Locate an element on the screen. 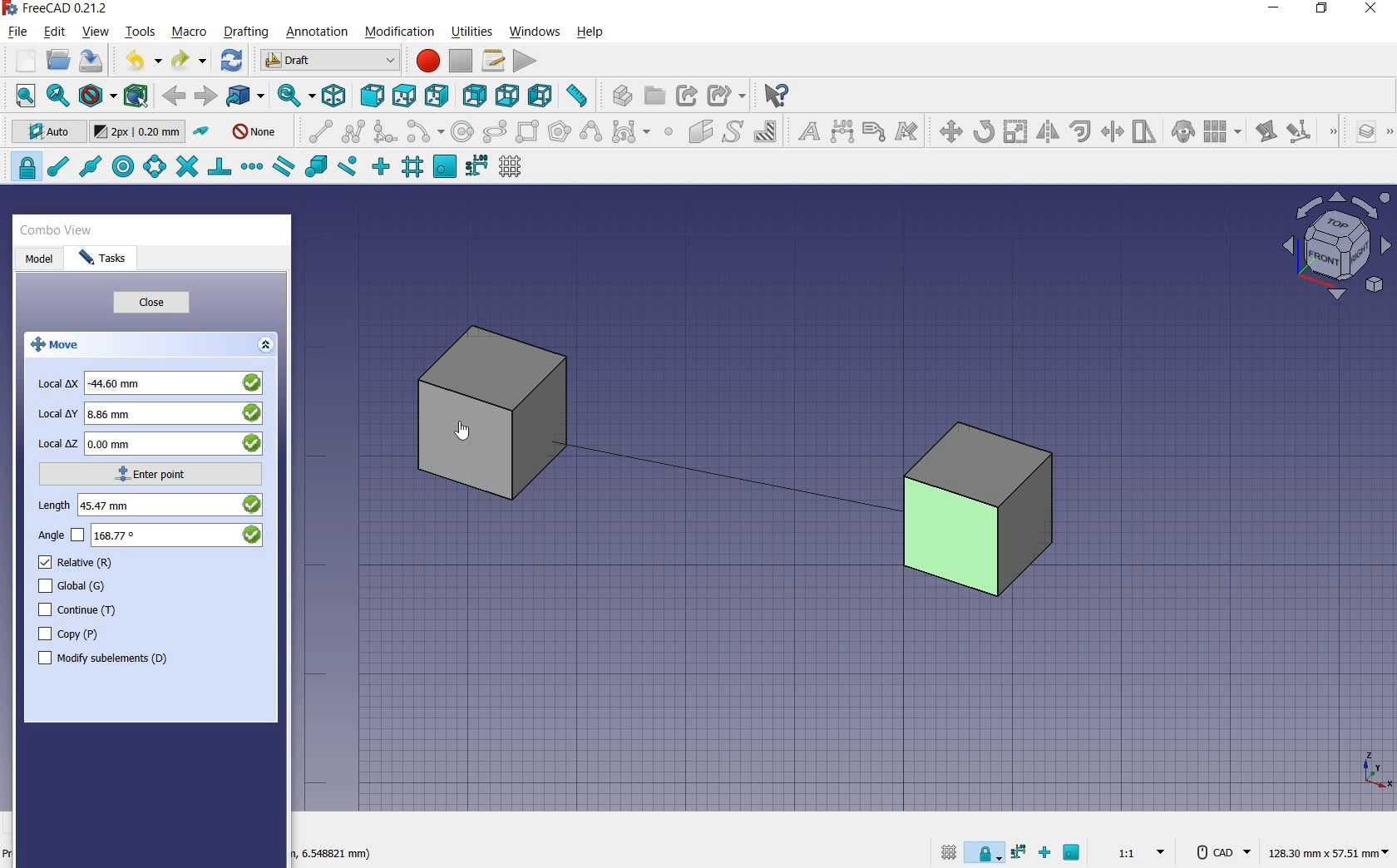 The width and height of the screenshot is (1397, 868). view is located at coordinates (96, 31).